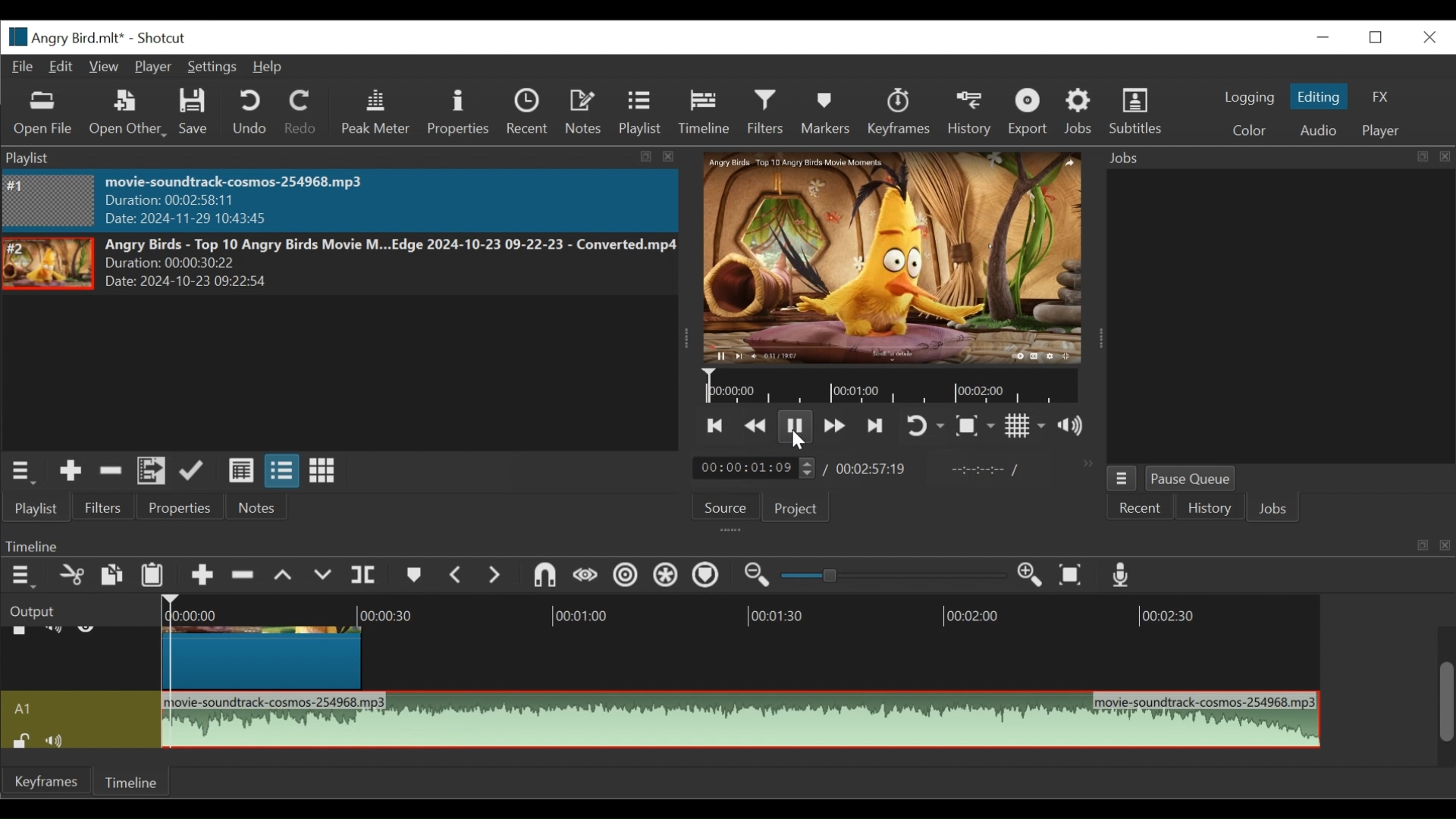 Image resolution: width=1456 pixels, height=819 pixels. Describe the element at coordinates (110, 507) in the screenshot. I see `Filters` at that location.